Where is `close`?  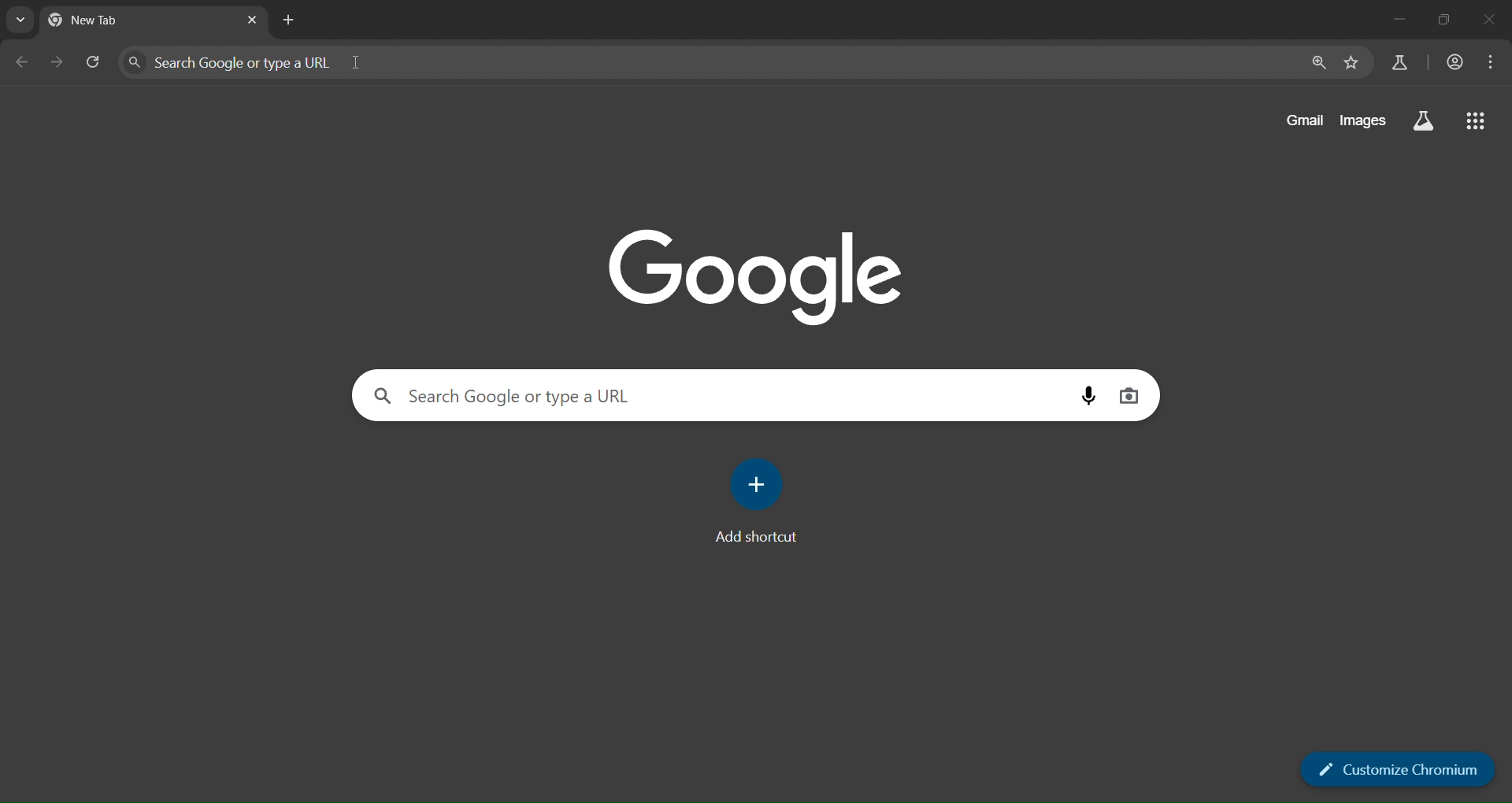 close is located at coordinates (1485, 20).